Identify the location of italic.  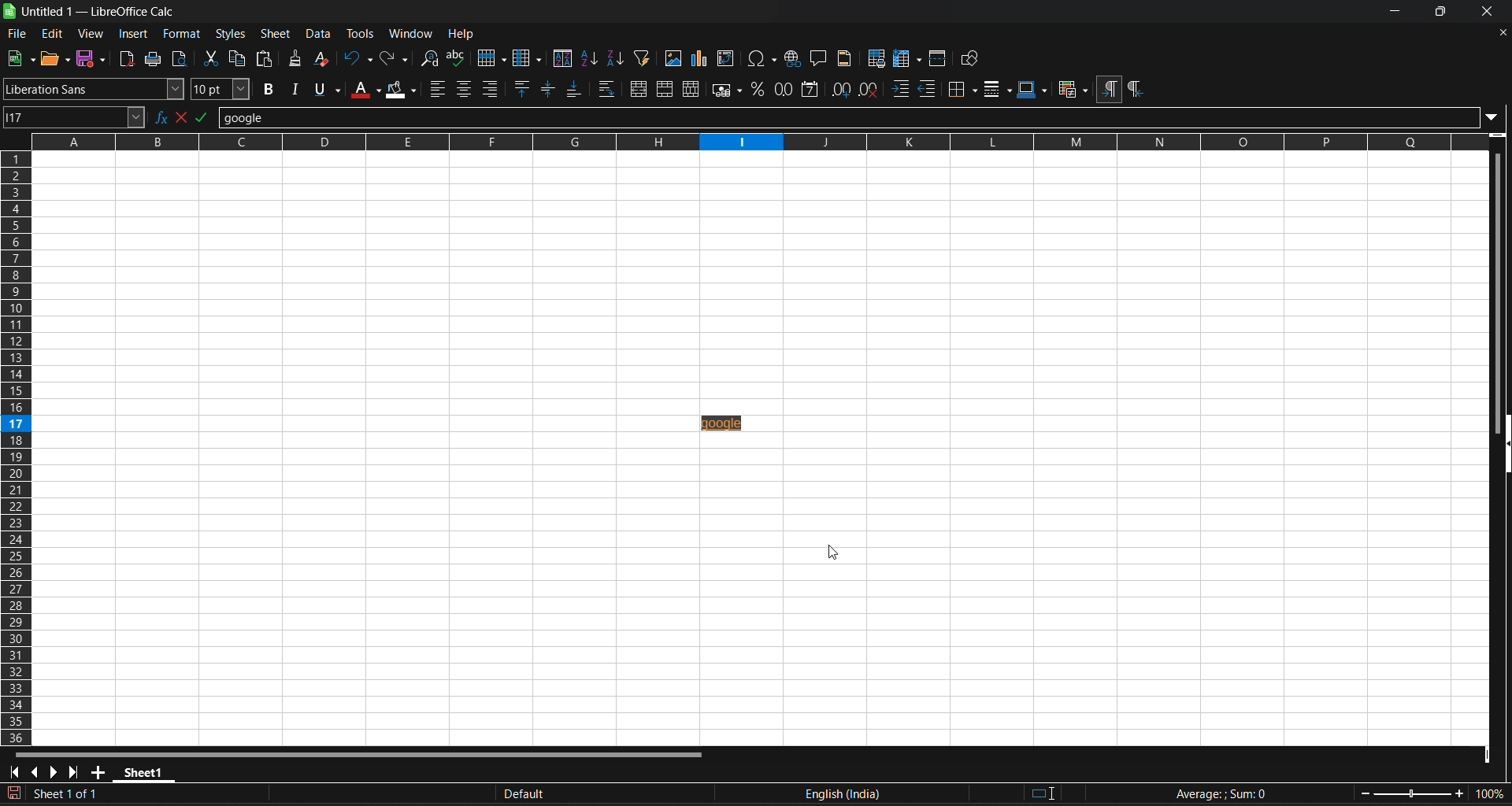
(295, 88).